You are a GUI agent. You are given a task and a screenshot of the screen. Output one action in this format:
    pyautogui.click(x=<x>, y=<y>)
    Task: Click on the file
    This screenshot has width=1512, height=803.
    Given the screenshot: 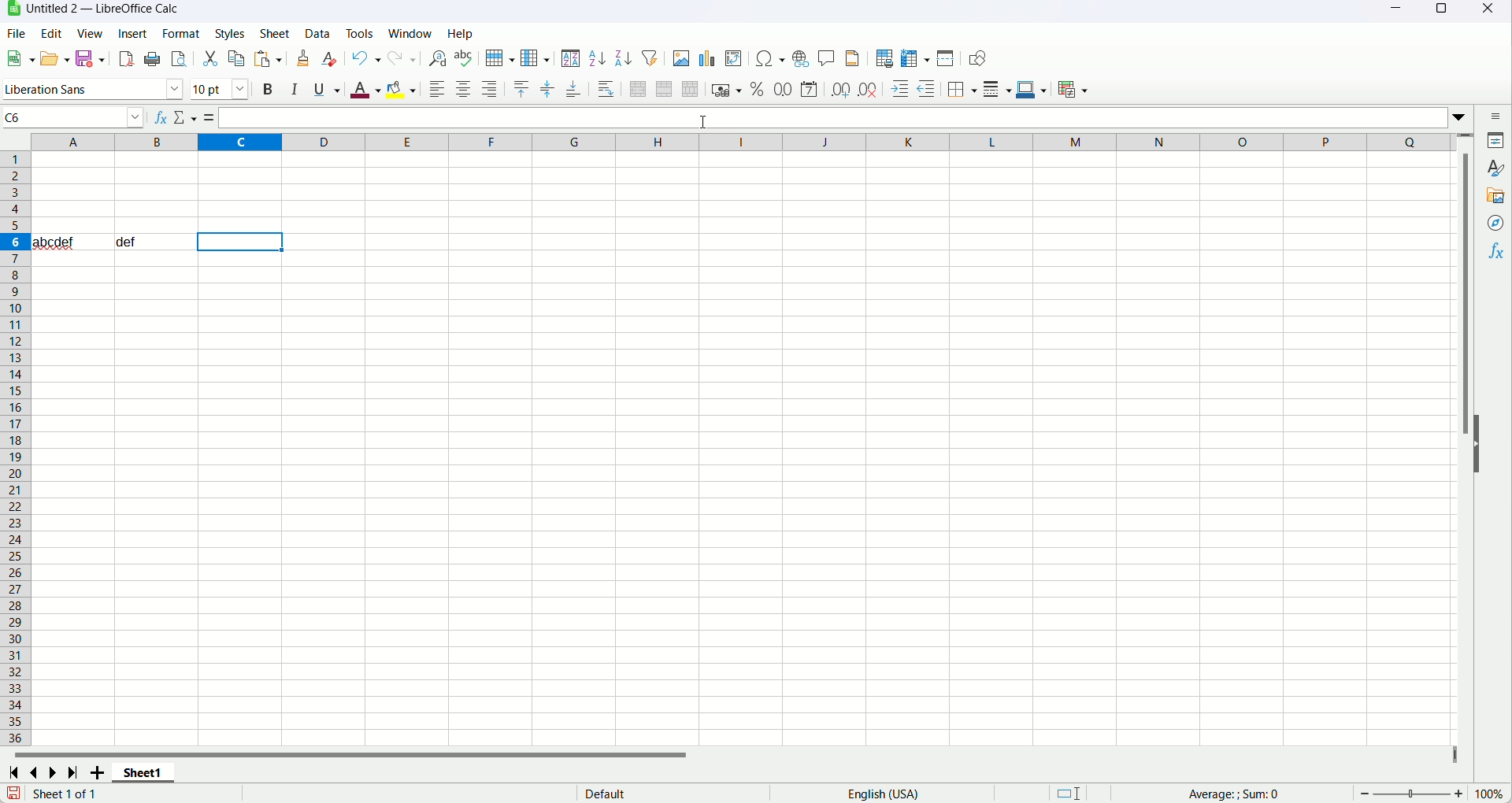 What is the action you would take?
    pyautogui.click(x=15, y=34)
    